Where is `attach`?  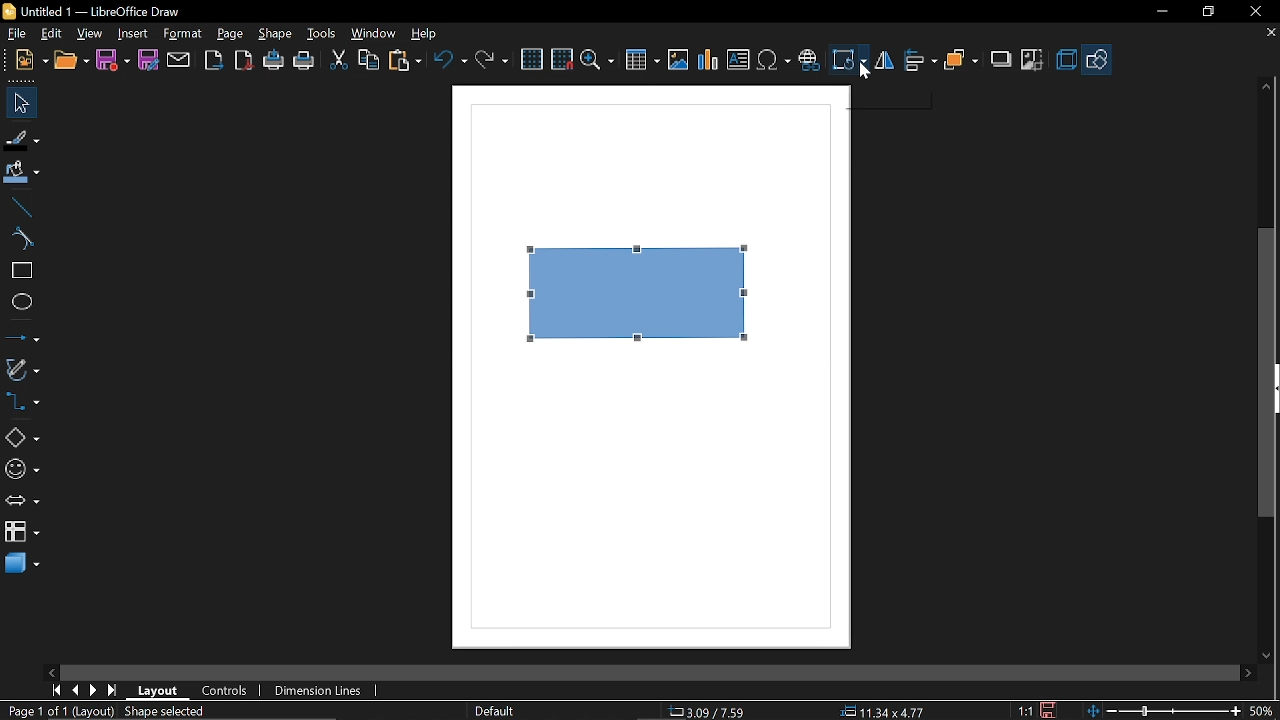
attach is located at coordinates (179, 60).